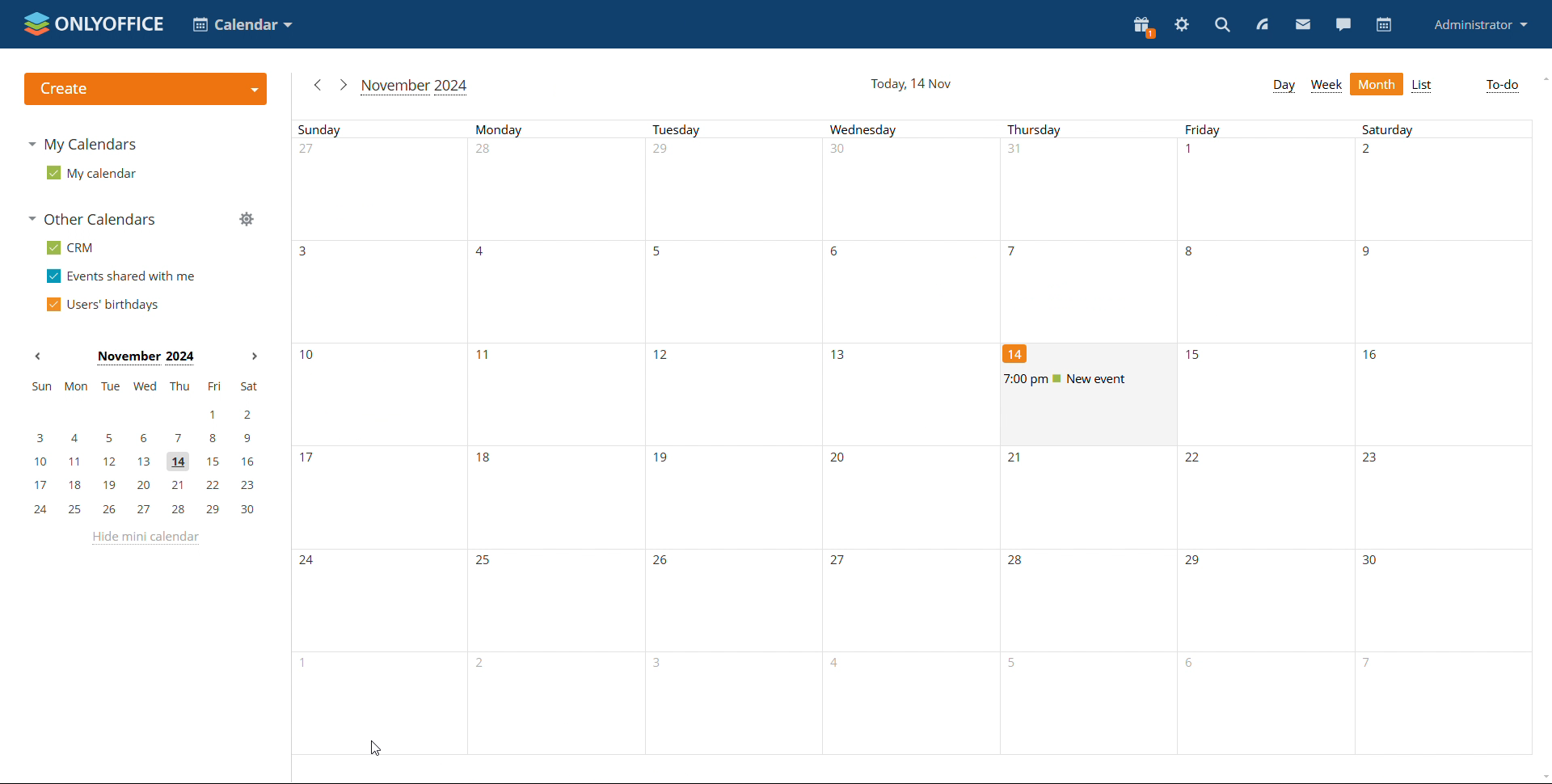 The width and height of the screenshot is (1552, 784). I want to click on my calendar, so click(92, 173).